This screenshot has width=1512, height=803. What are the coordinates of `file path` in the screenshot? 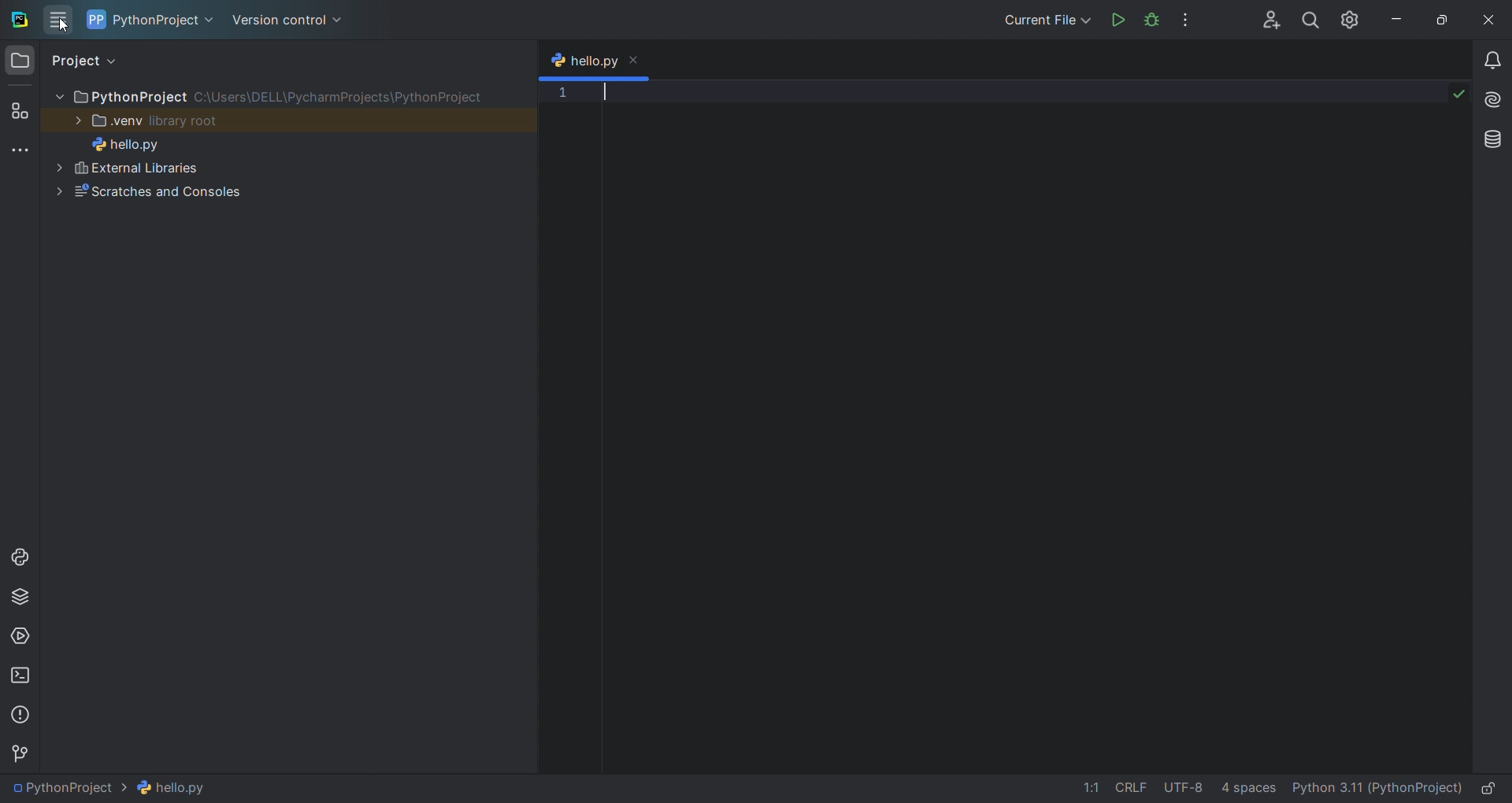 It's located at (117, 787).